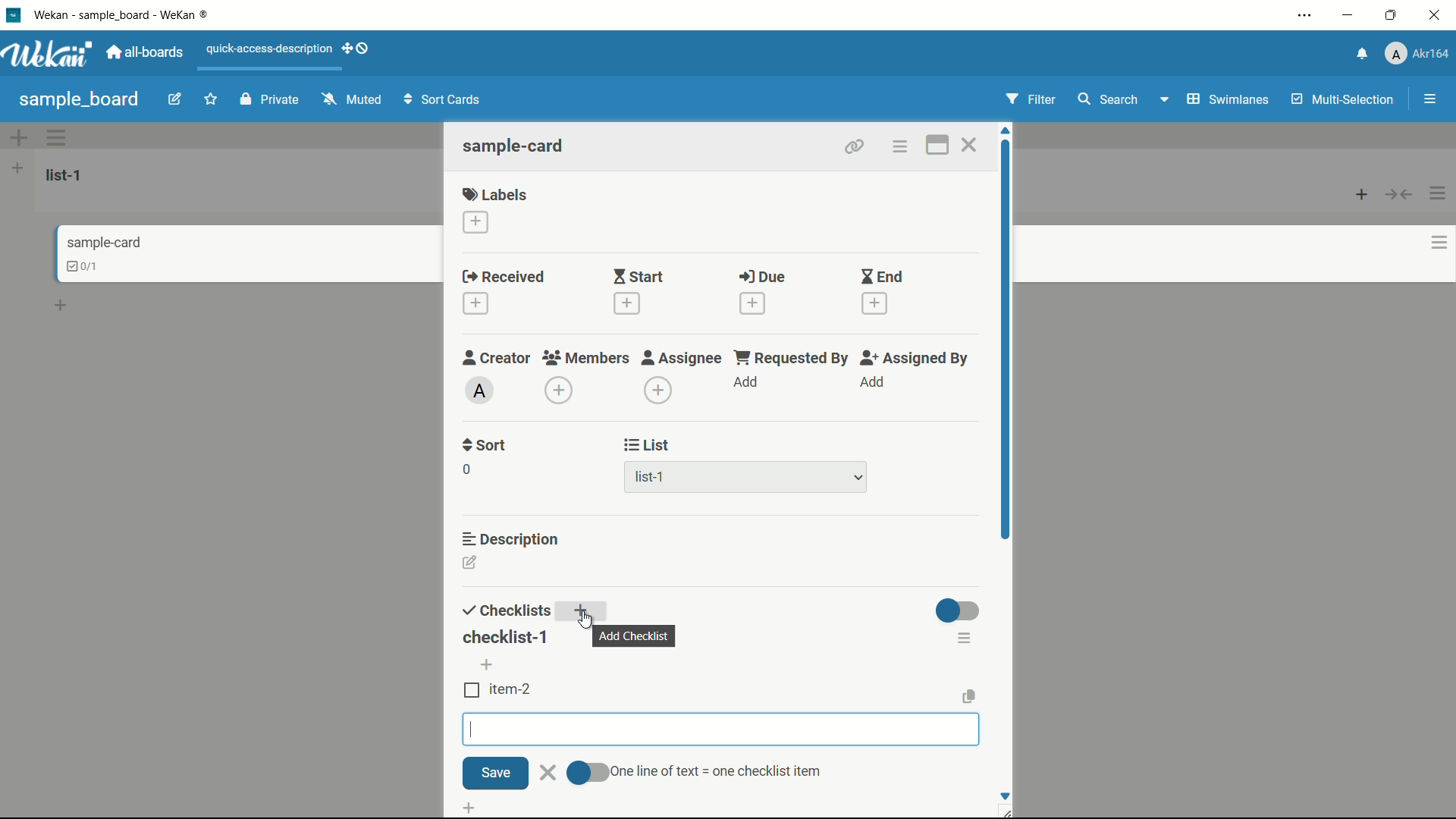  I want to click on scroll up, so click(1007, 130).